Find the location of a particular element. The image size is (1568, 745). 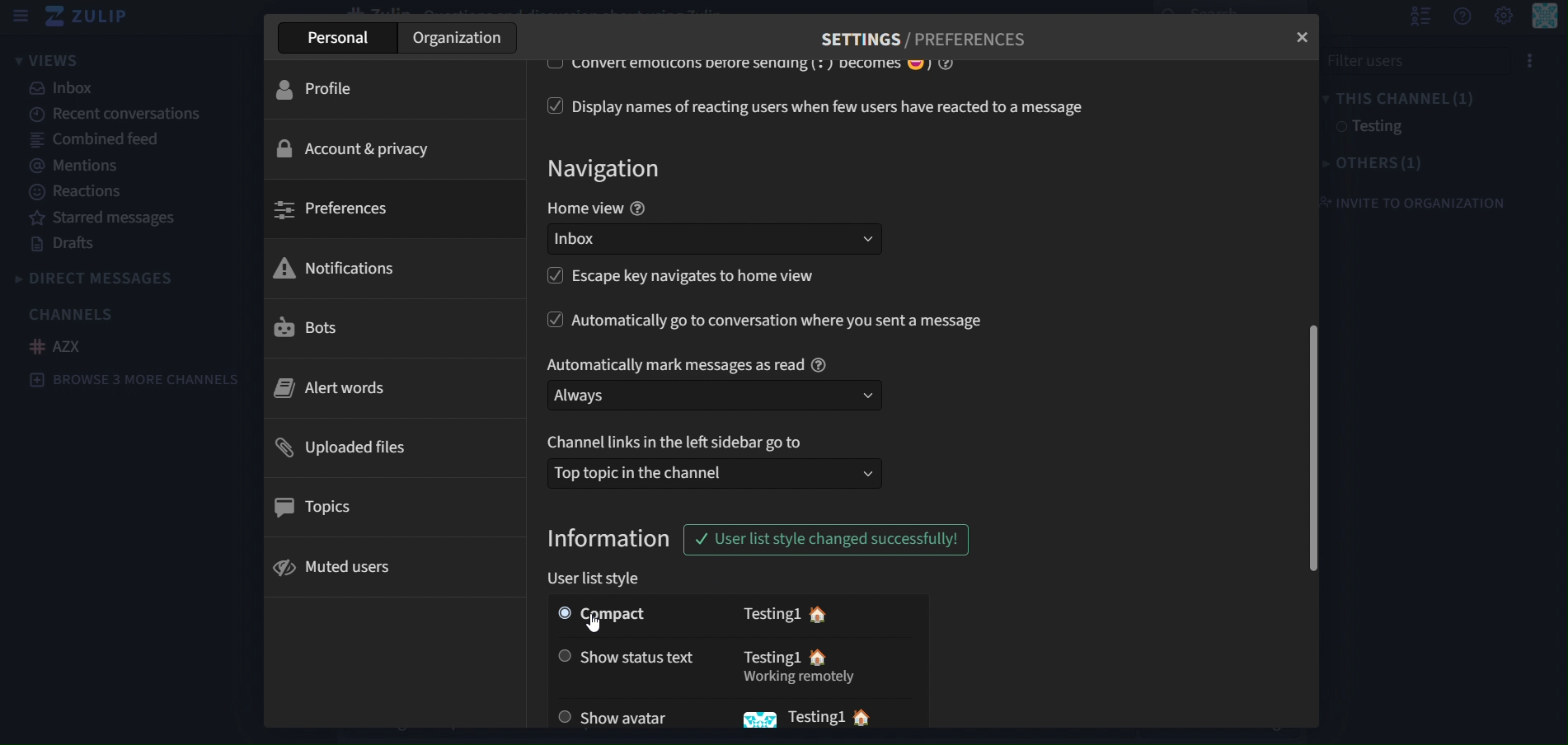

channel links in the left sidebar go to is located at coordinates (680, 443).